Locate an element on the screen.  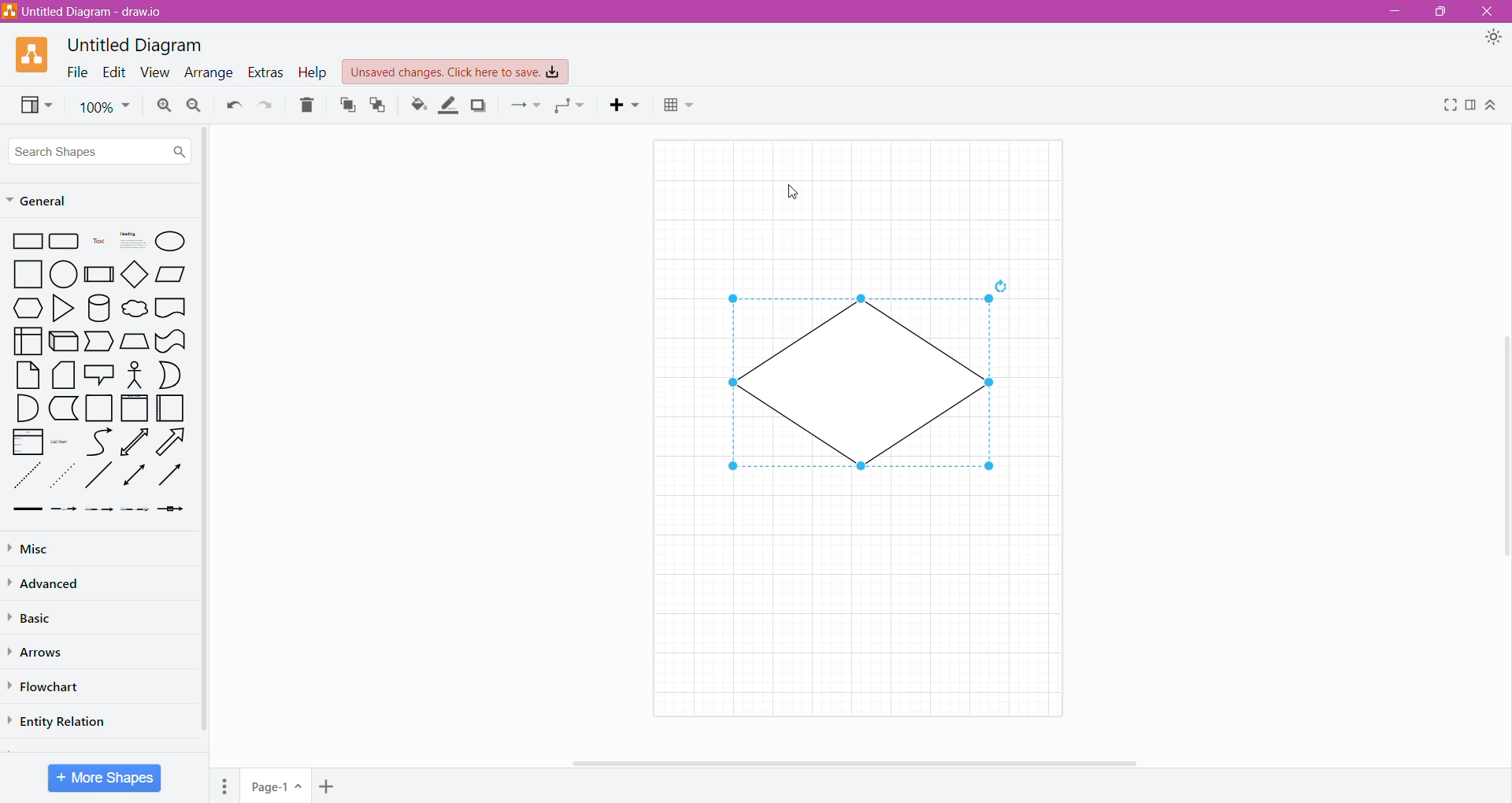
Table is located at coordinates (679, 107).